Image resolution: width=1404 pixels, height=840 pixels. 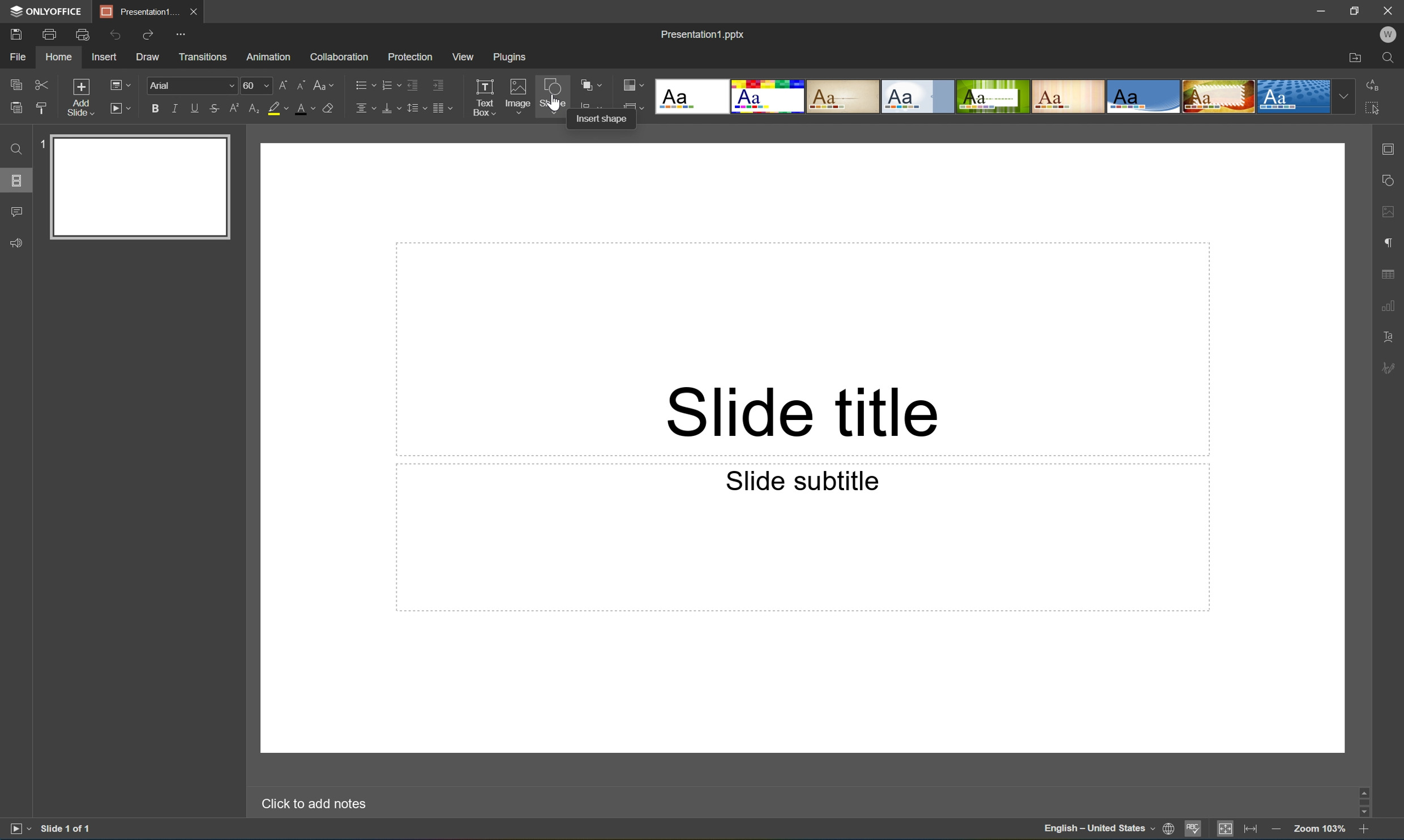 I want to click on Protection, so click(x=409, y=56).